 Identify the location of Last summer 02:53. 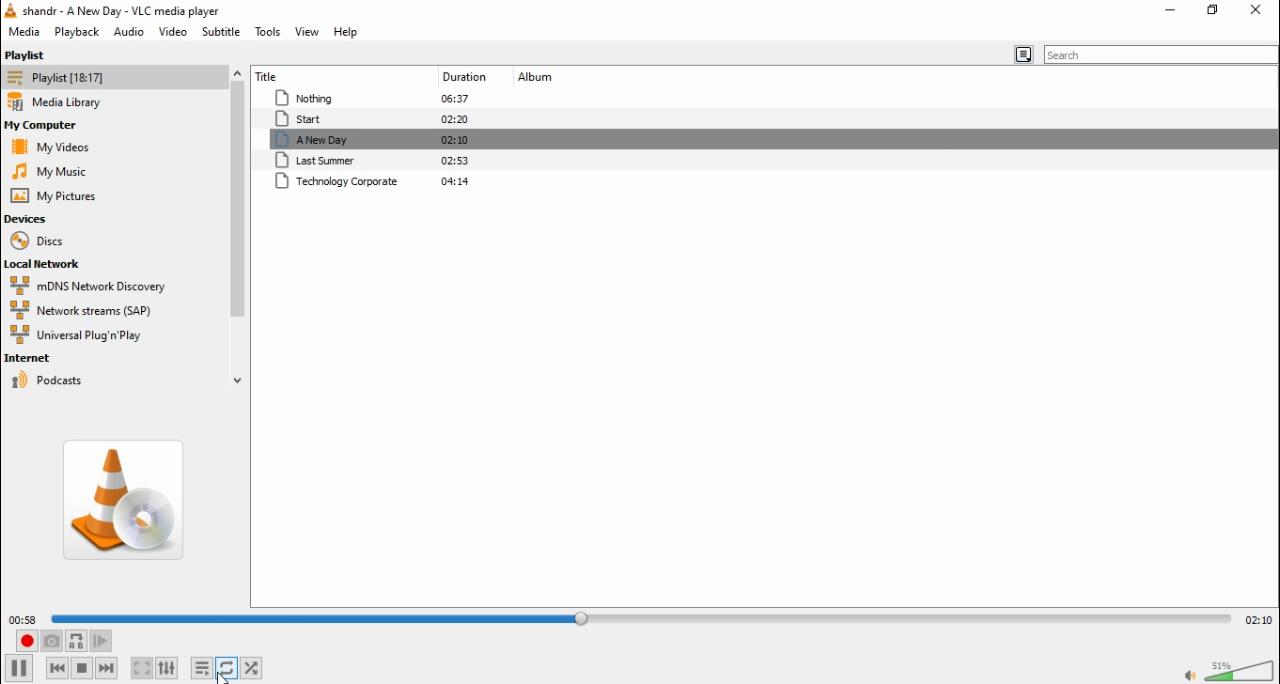
(378, 161).